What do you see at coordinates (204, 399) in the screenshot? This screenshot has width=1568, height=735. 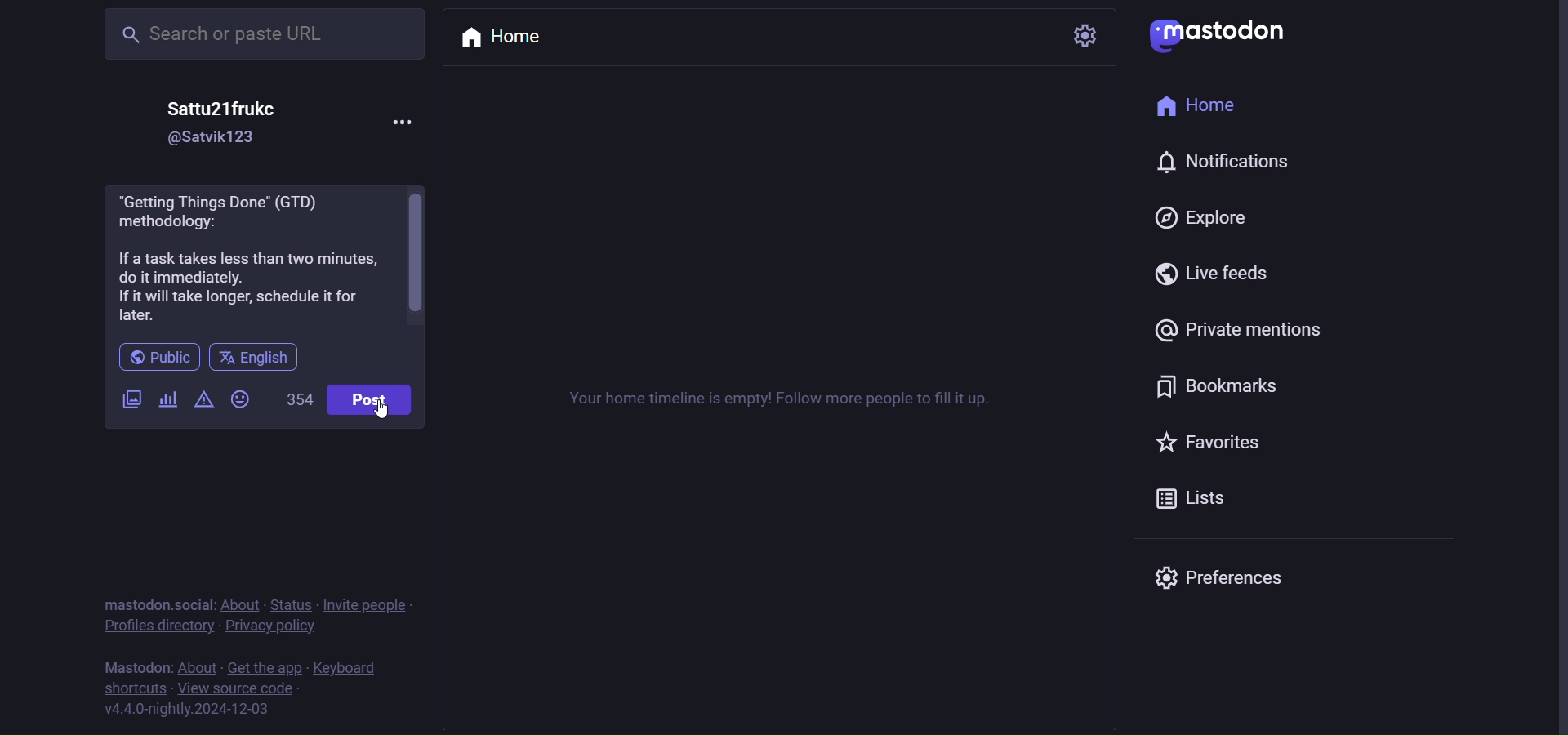 I see `content warning` at bounding box center [204, 399].